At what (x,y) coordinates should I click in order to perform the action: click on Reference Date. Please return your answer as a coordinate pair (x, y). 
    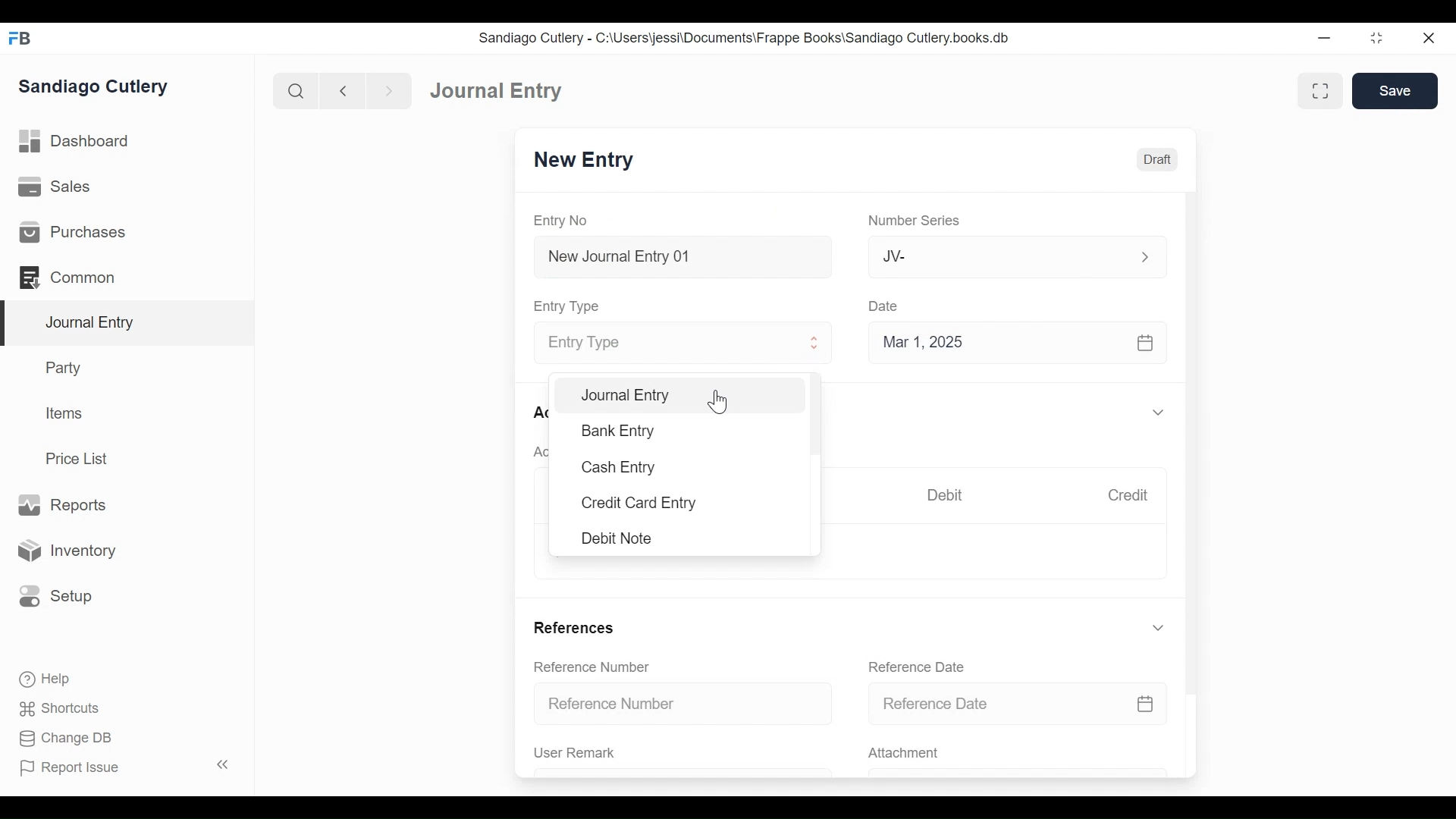
    Looking at the image, I should click on (907, 666).